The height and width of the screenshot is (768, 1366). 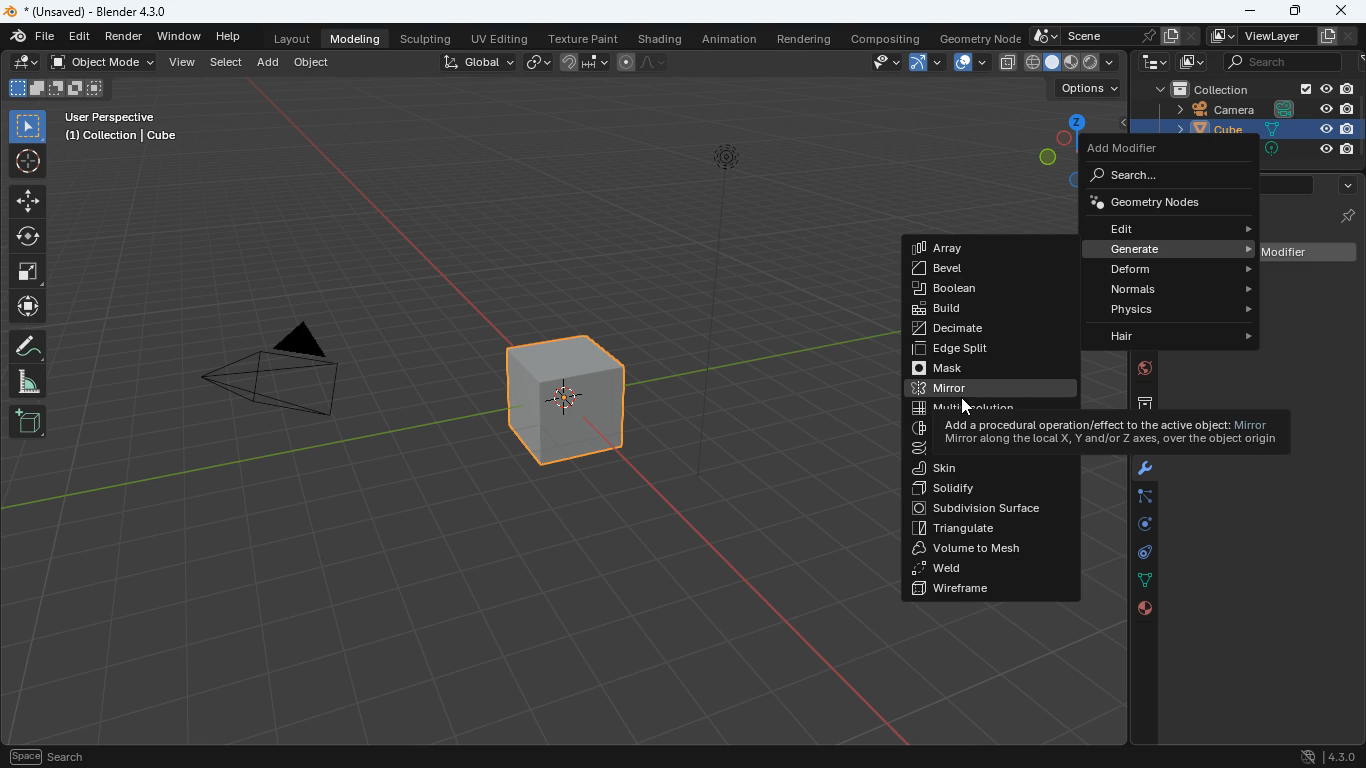 I want to click on move, so click(x=26, y=307).